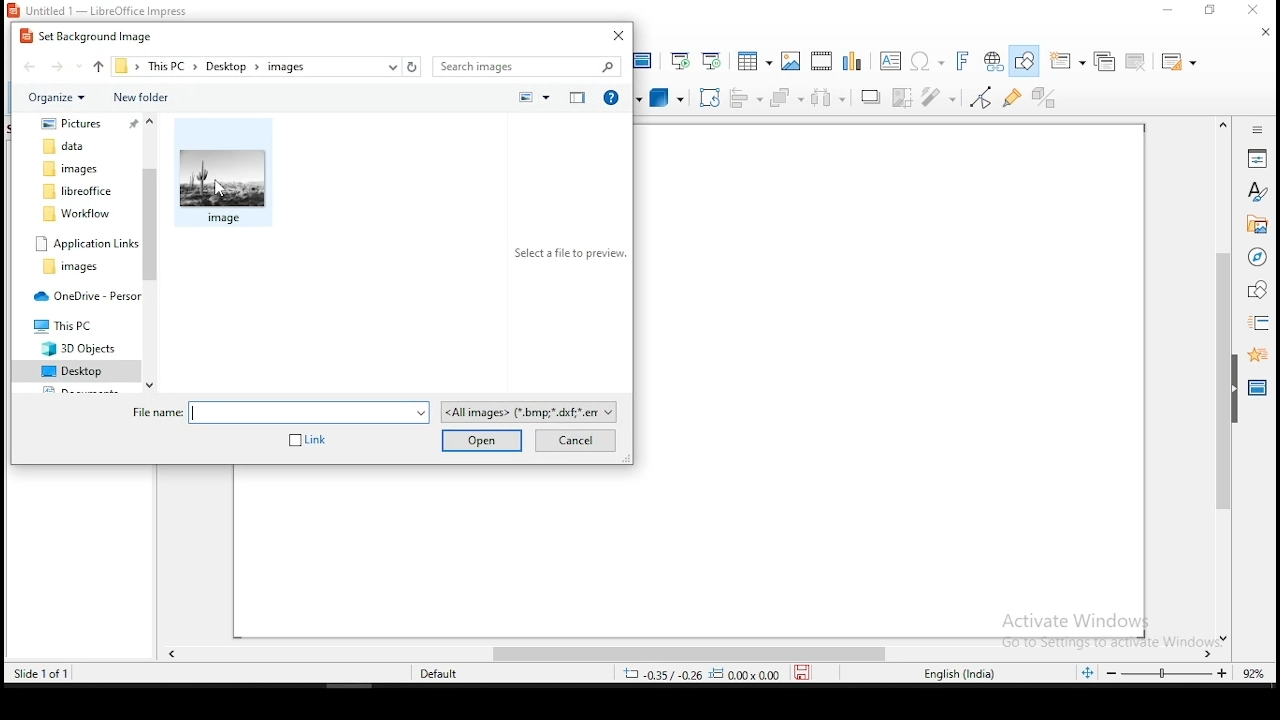  Describe the element at coordinates (1254, 9) in the screenshot. I see `close window` at that location.